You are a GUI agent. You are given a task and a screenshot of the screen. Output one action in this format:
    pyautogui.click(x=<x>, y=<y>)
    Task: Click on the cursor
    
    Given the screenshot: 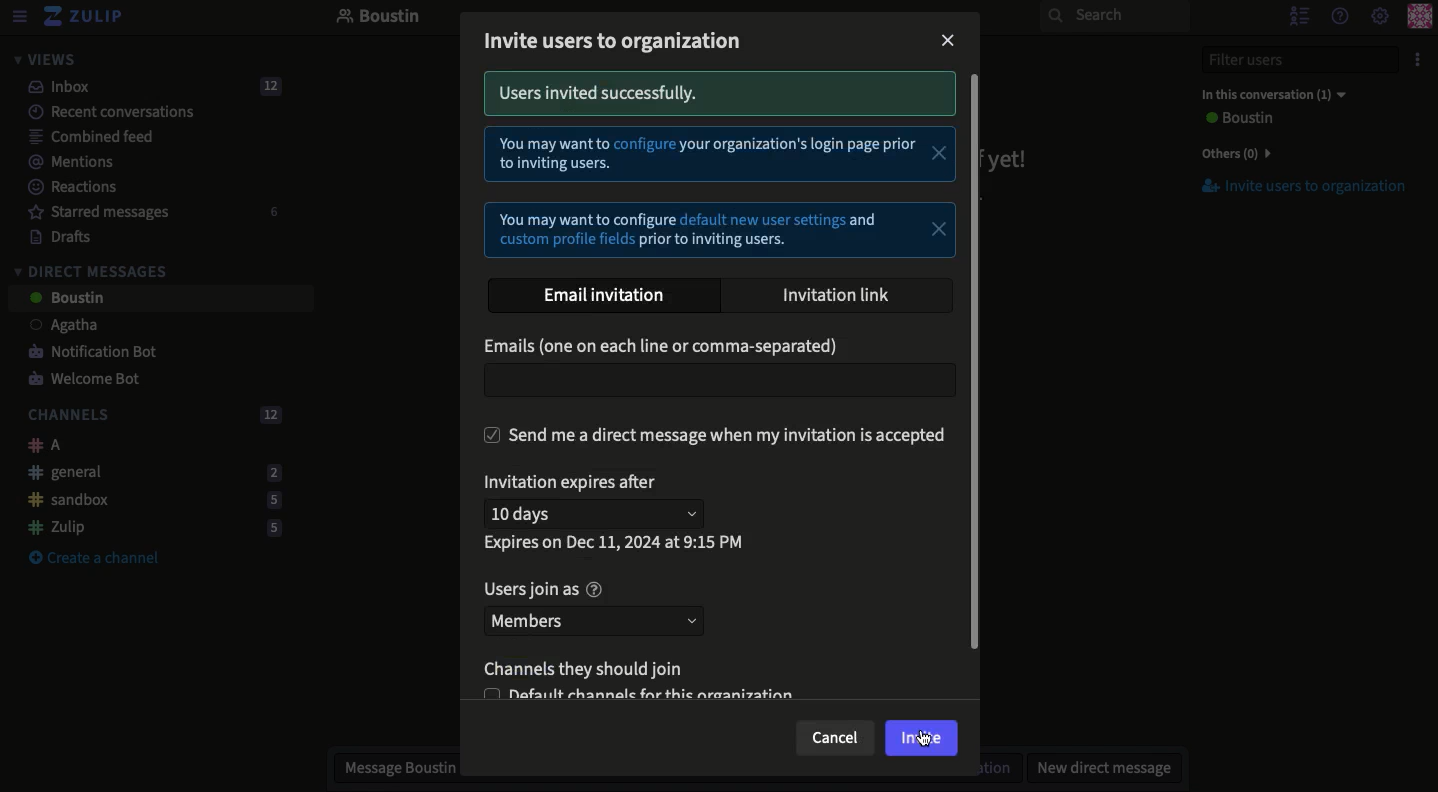 What is the action you would take?
    pyautogui.click(x=927, y=737)
    